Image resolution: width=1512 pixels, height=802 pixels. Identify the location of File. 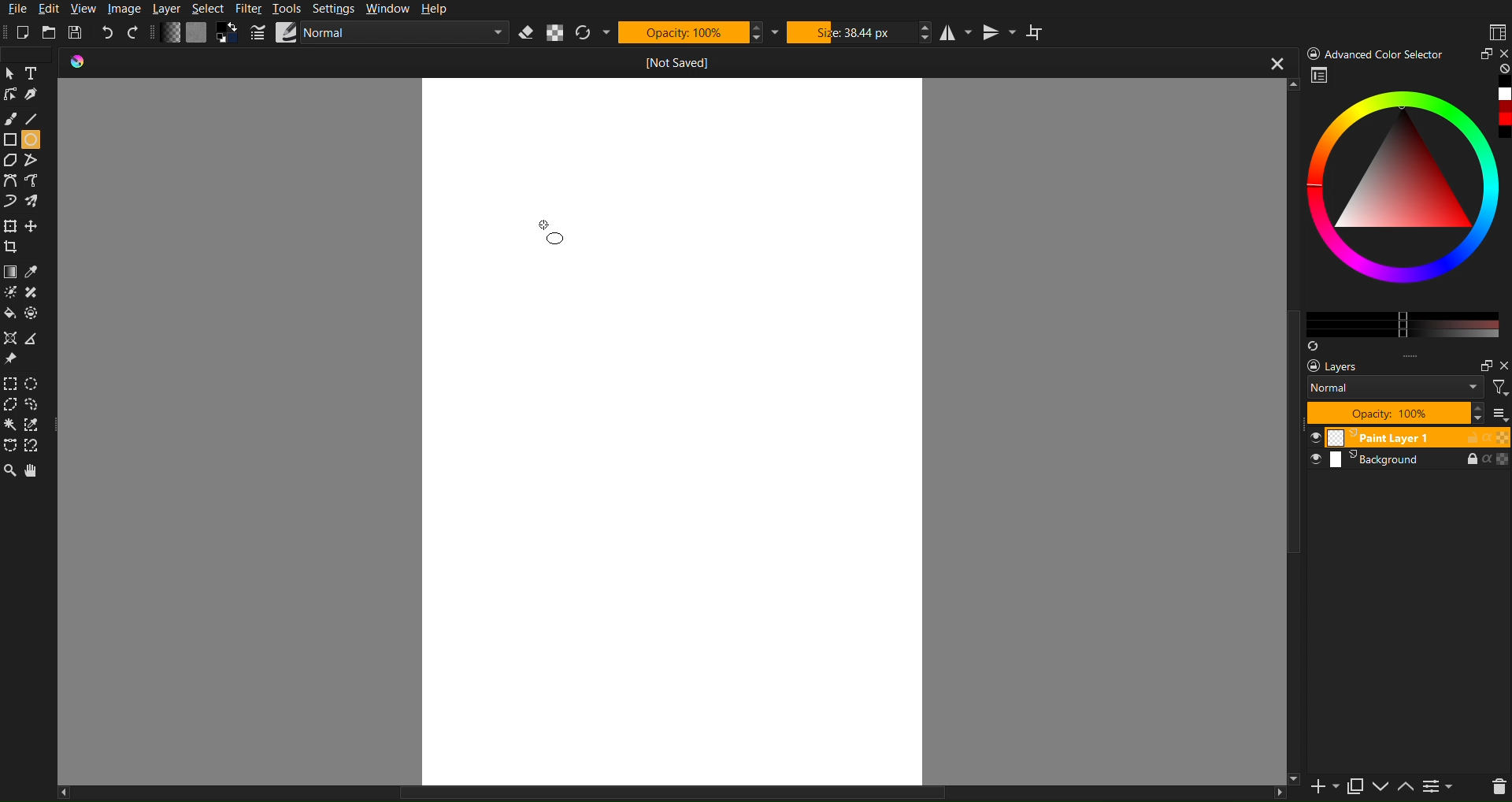
(16, 9).